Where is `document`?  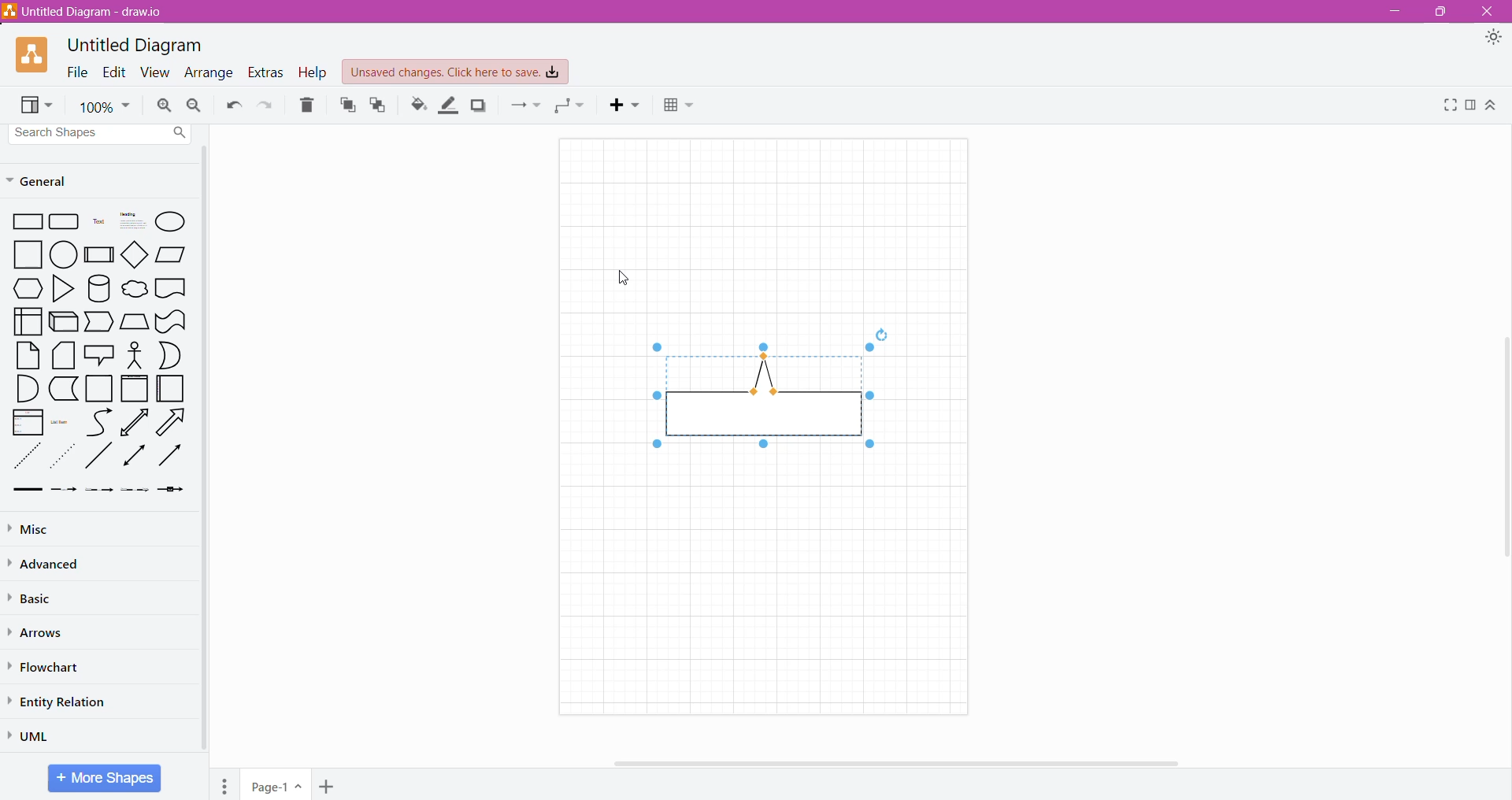
document is located at coordinates (172, 287).